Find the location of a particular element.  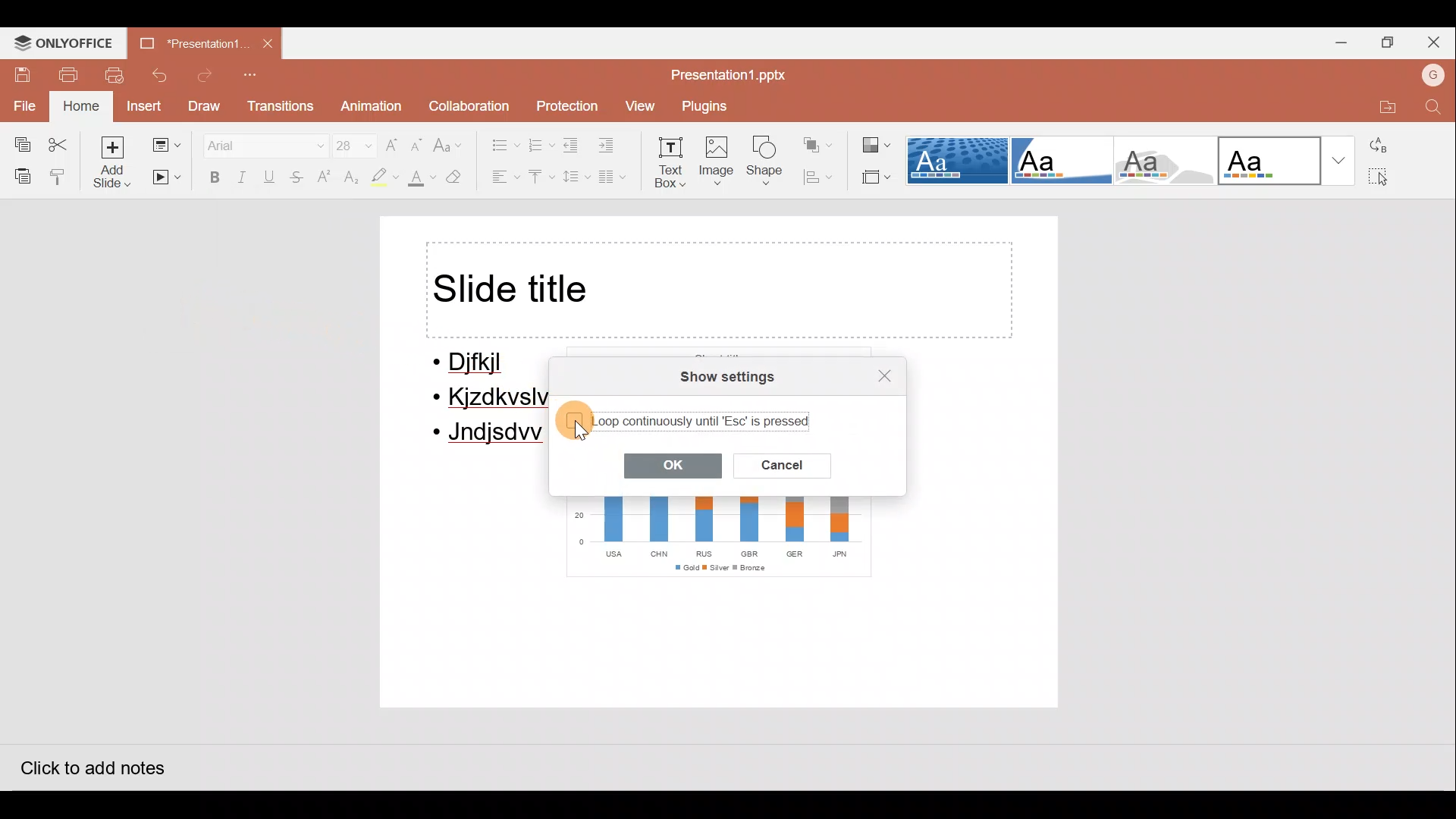

Minimize is located at coordinates (1338, 41).